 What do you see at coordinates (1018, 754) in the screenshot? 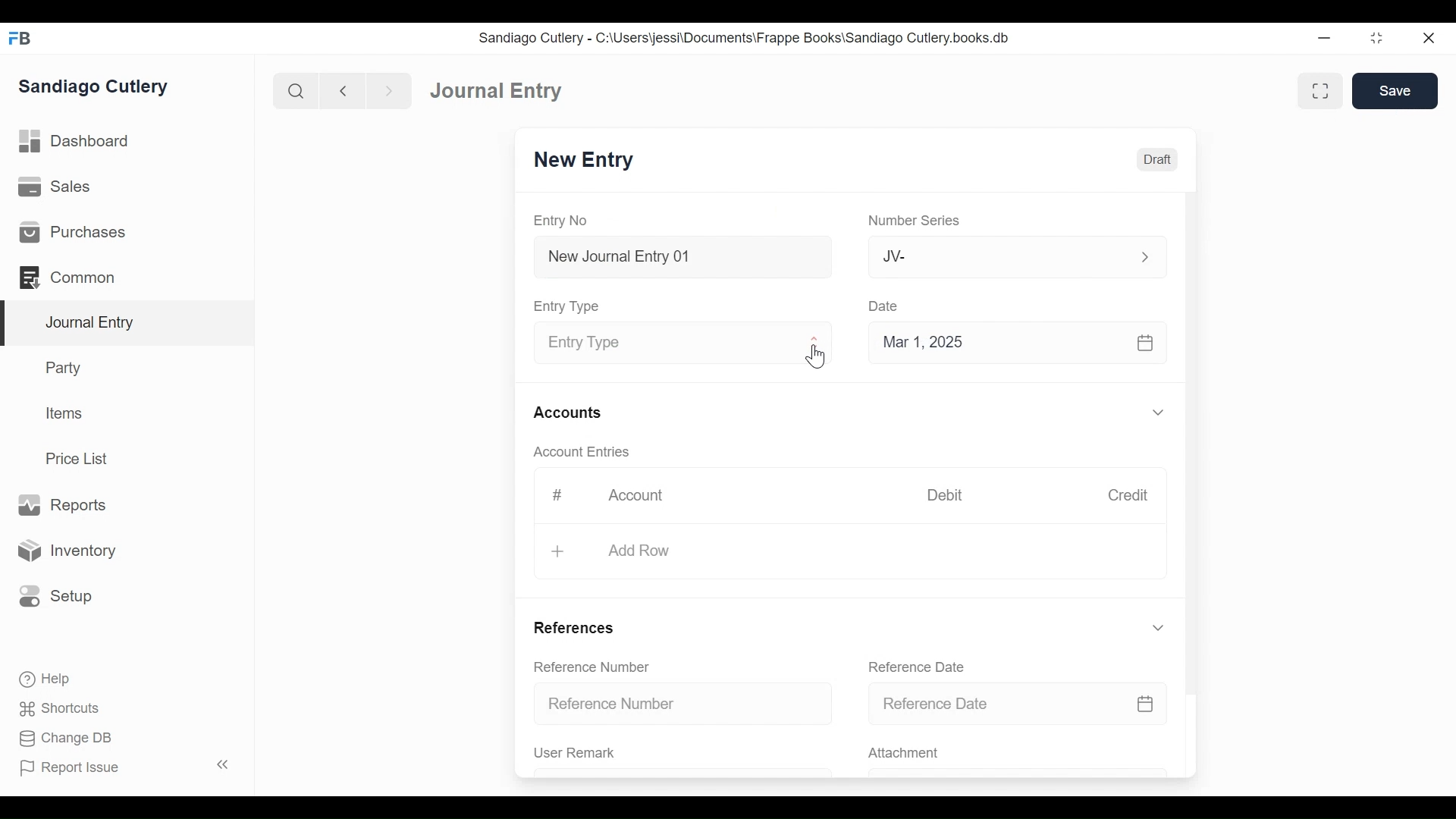
I see `Attachment` at bounding box center [1018, 754].